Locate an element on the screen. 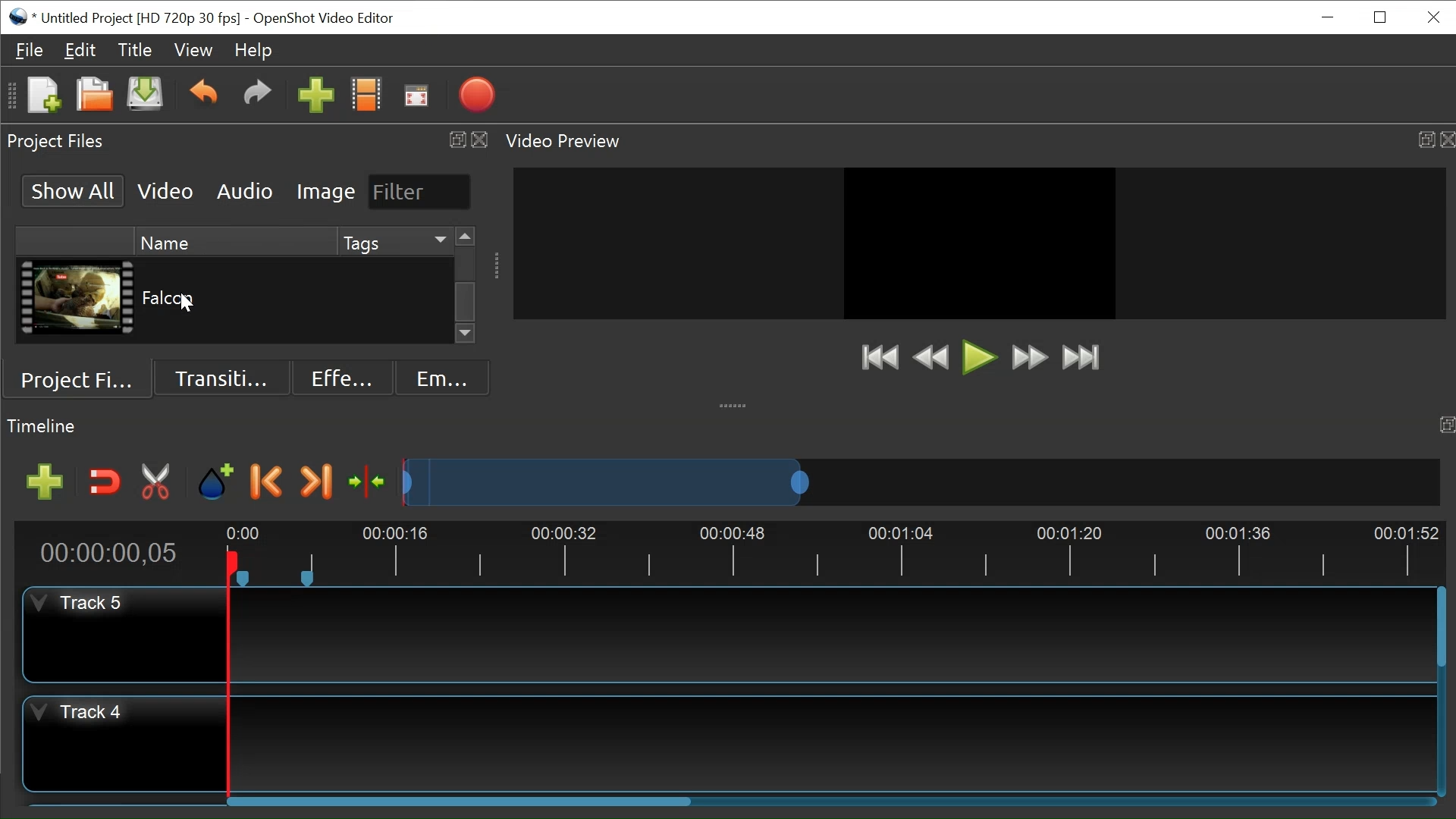 The width and height of the screenshot is (1456, 819). Zoom Slider is located at coordinates (915, 480).